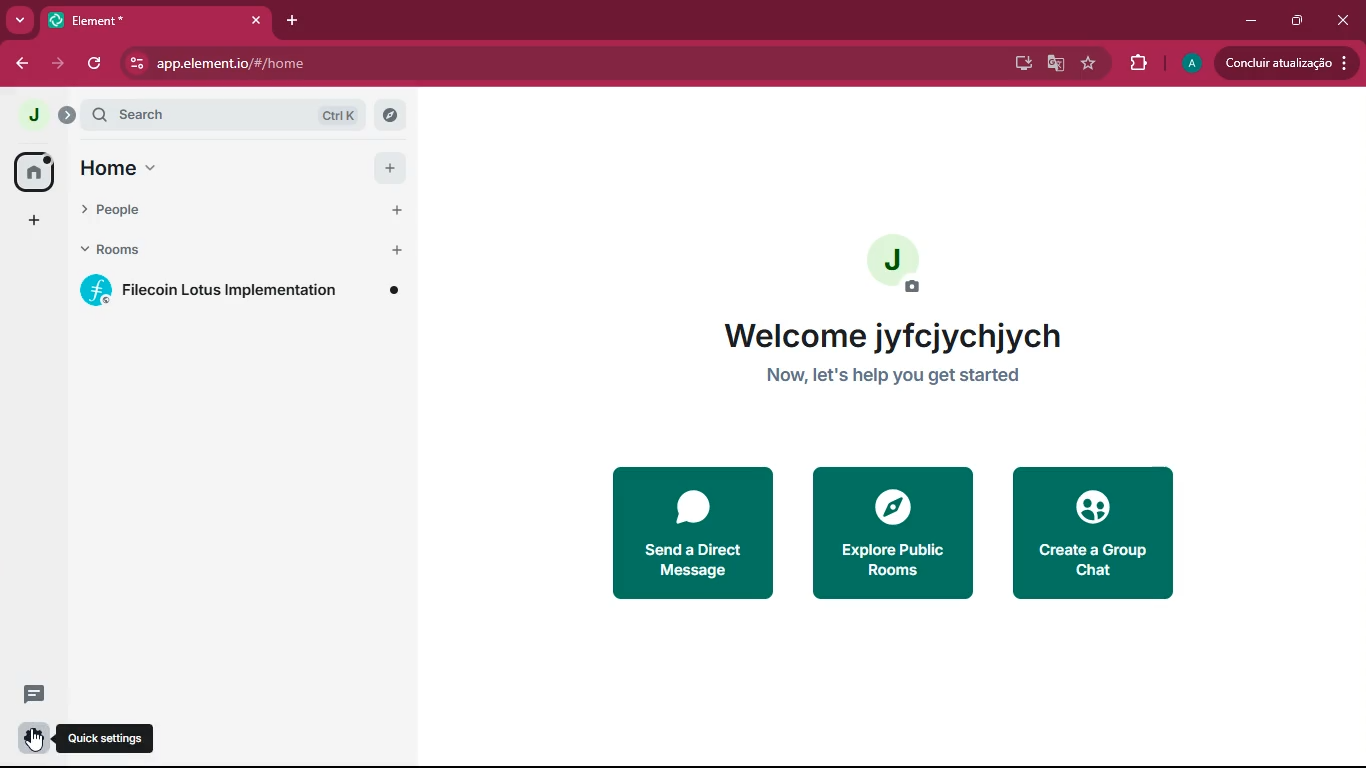 The image size is (1366, 768). Describe the element at coordinates (900, 264) in the screenshot. I see `add profile picture` at that location.